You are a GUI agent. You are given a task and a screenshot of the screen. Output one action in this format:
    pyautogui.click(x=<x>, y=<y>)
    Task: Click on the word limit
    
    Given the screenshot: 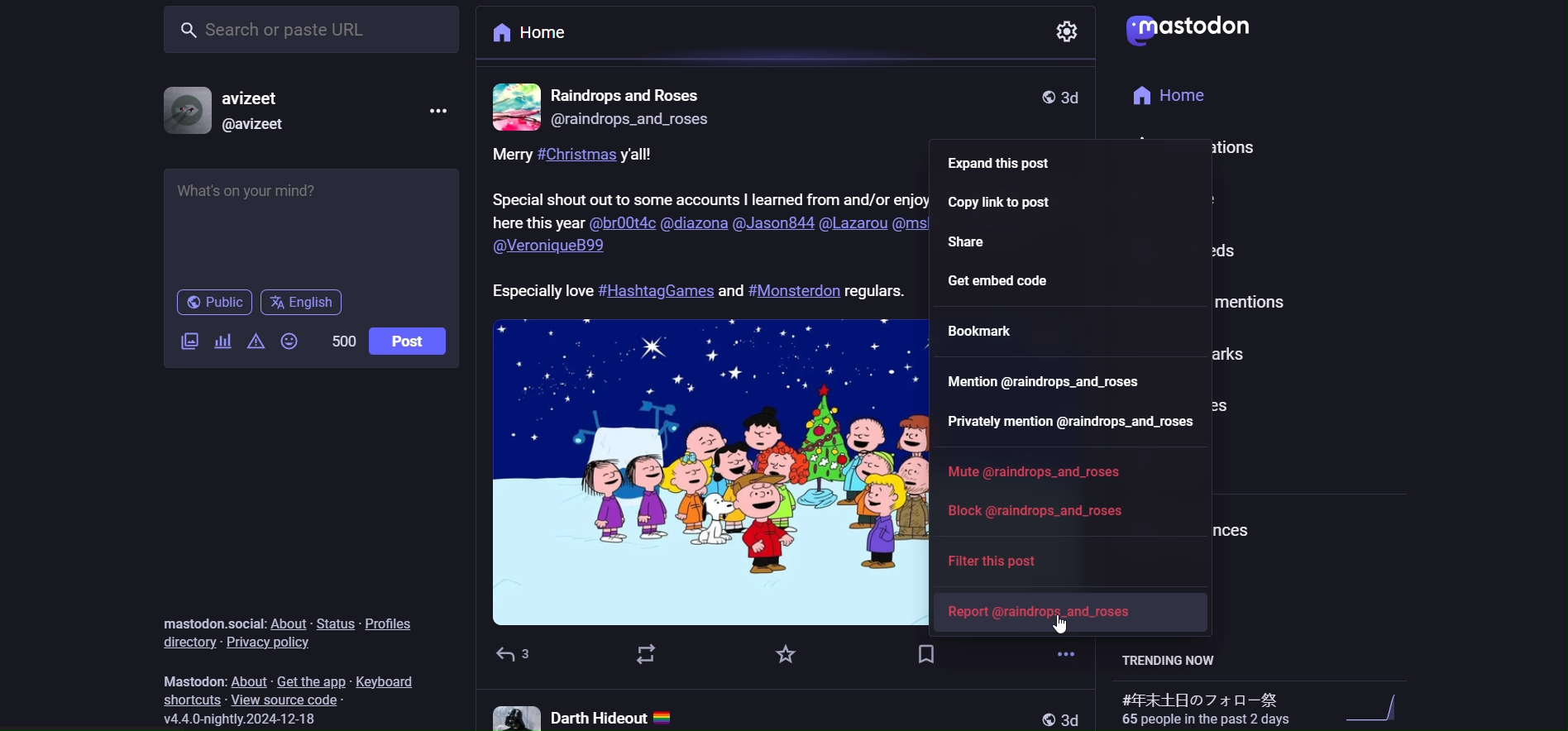 What is the action you would take?
    pyautogui.click(x=343, y=342)
    